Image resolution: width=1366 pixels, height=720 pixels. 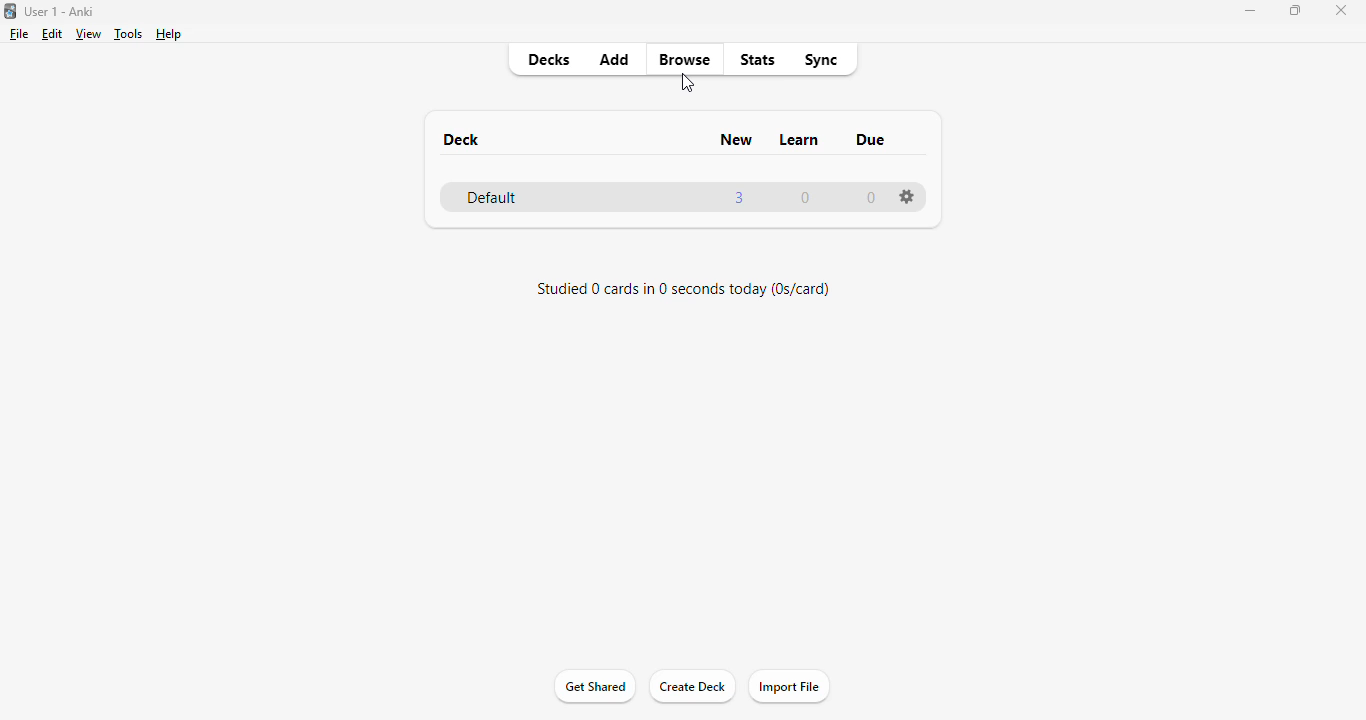 What do you see at coordinates (128, 35) in the screenshot?
I see `tools` at bounding box center [128, 35].